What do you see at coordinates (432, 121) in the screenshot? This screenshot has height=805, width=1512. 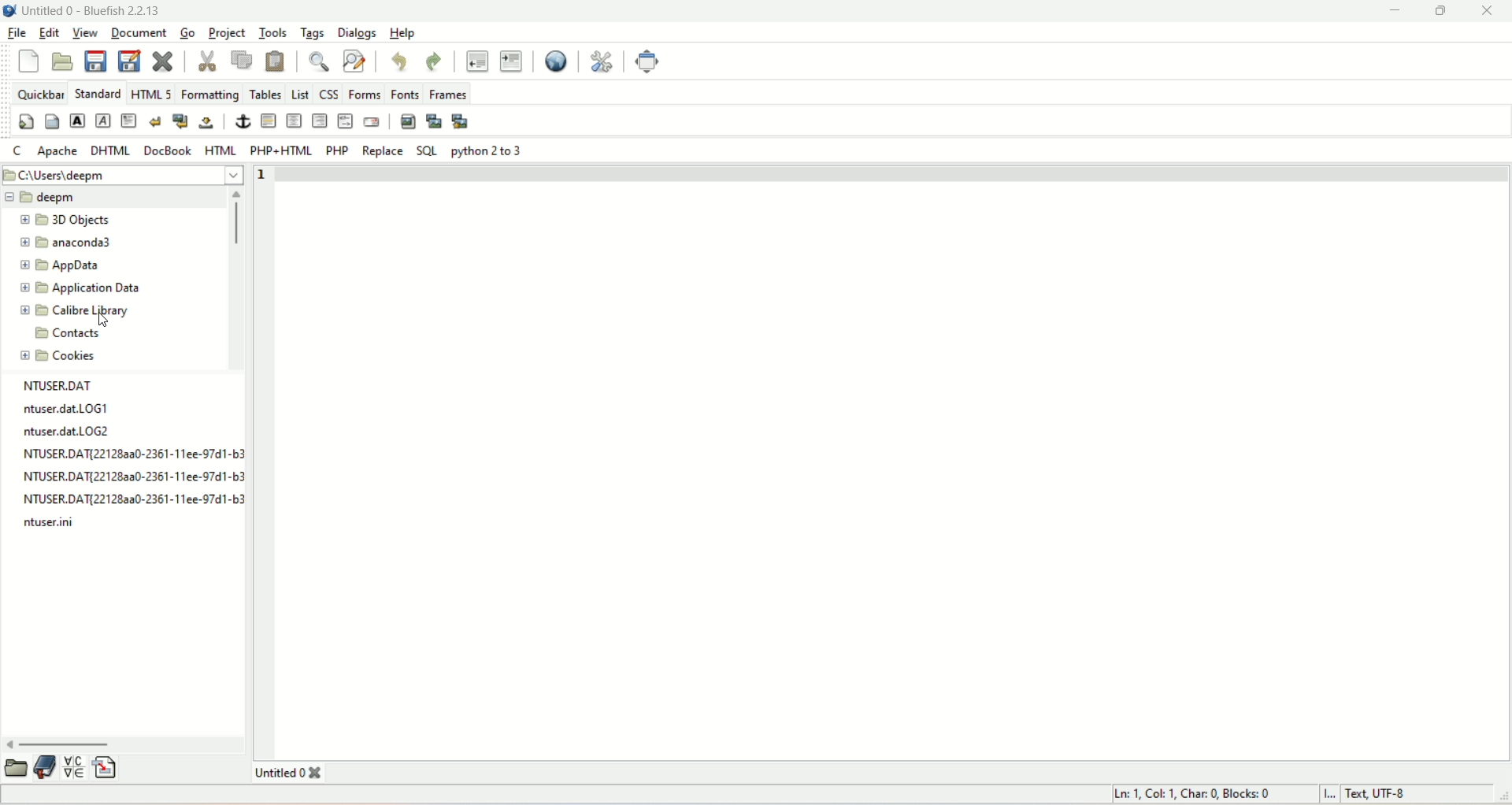 I see `insert thumbnail` at bounding box center [432, 121].